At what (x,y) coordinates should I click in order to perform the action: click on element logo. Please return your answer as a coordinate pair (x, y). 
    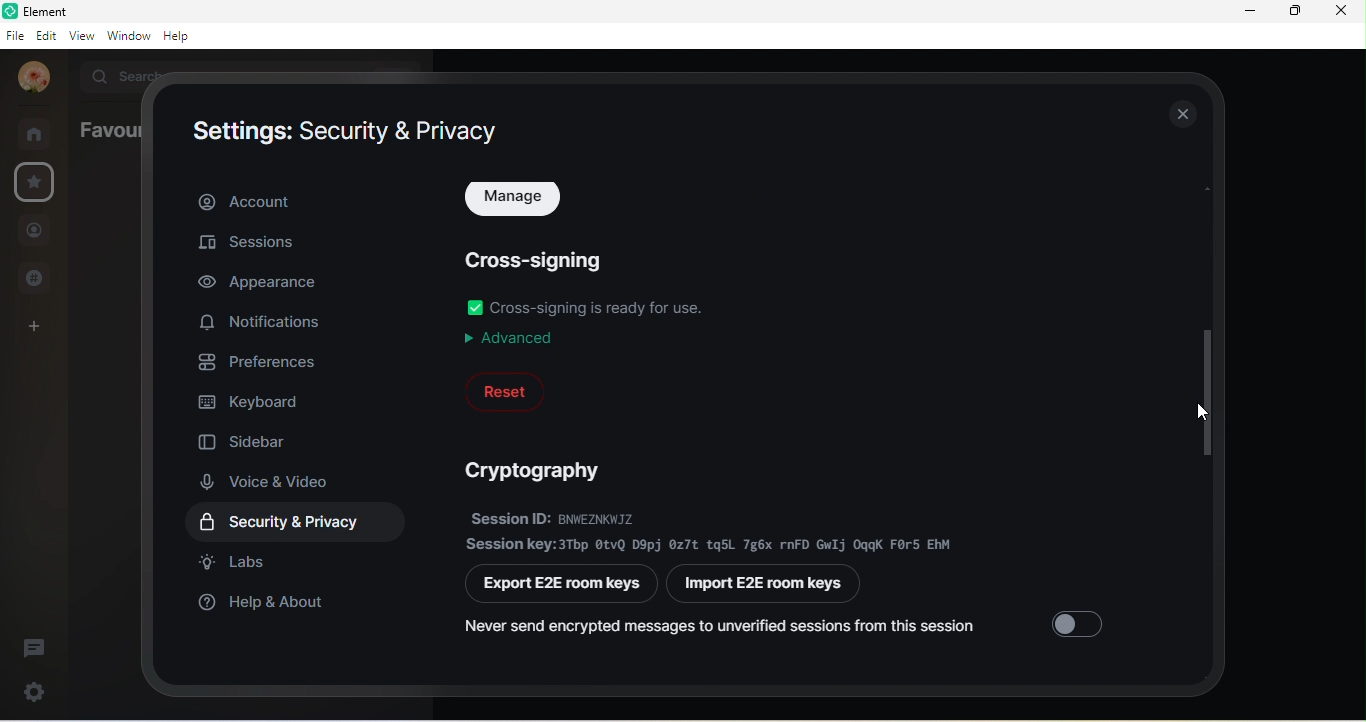
    Looking at the image, I should click on (9, 10).